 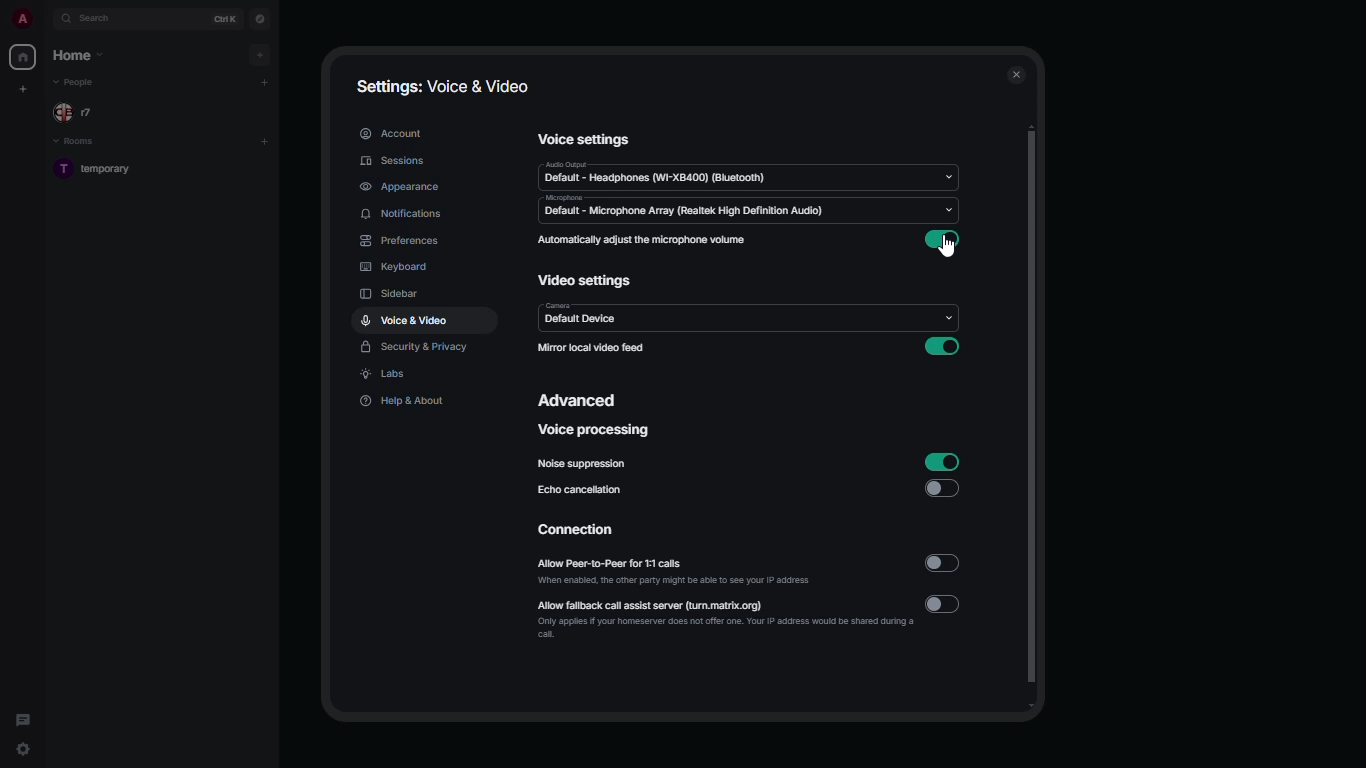 I want to click on rooms, so click(x=75, y=141).